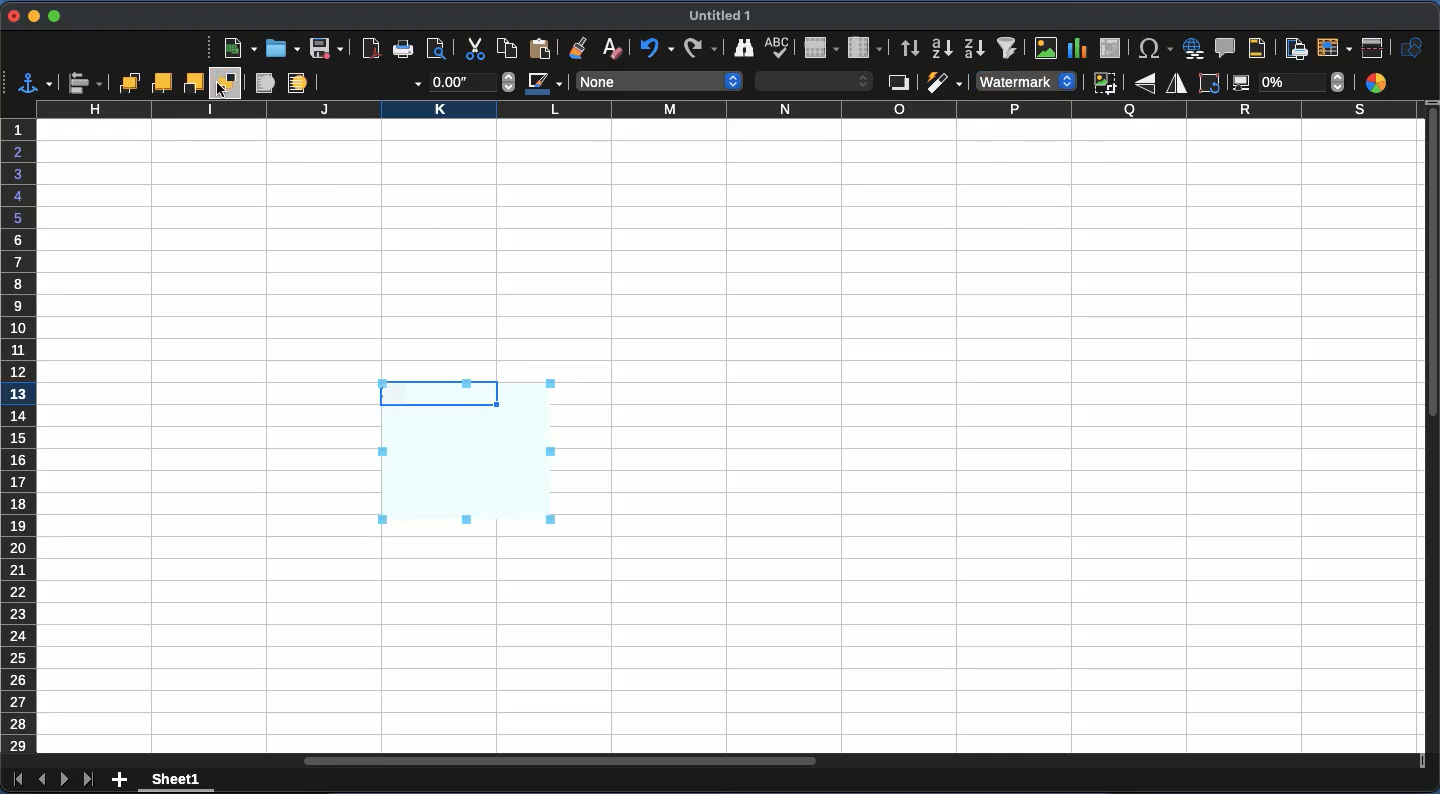 The height and width of the screenshot is (794, 1440). Describe the element at coordinates (1431, 284) in the screenshot. I see `vertical scroll bar` at that location.